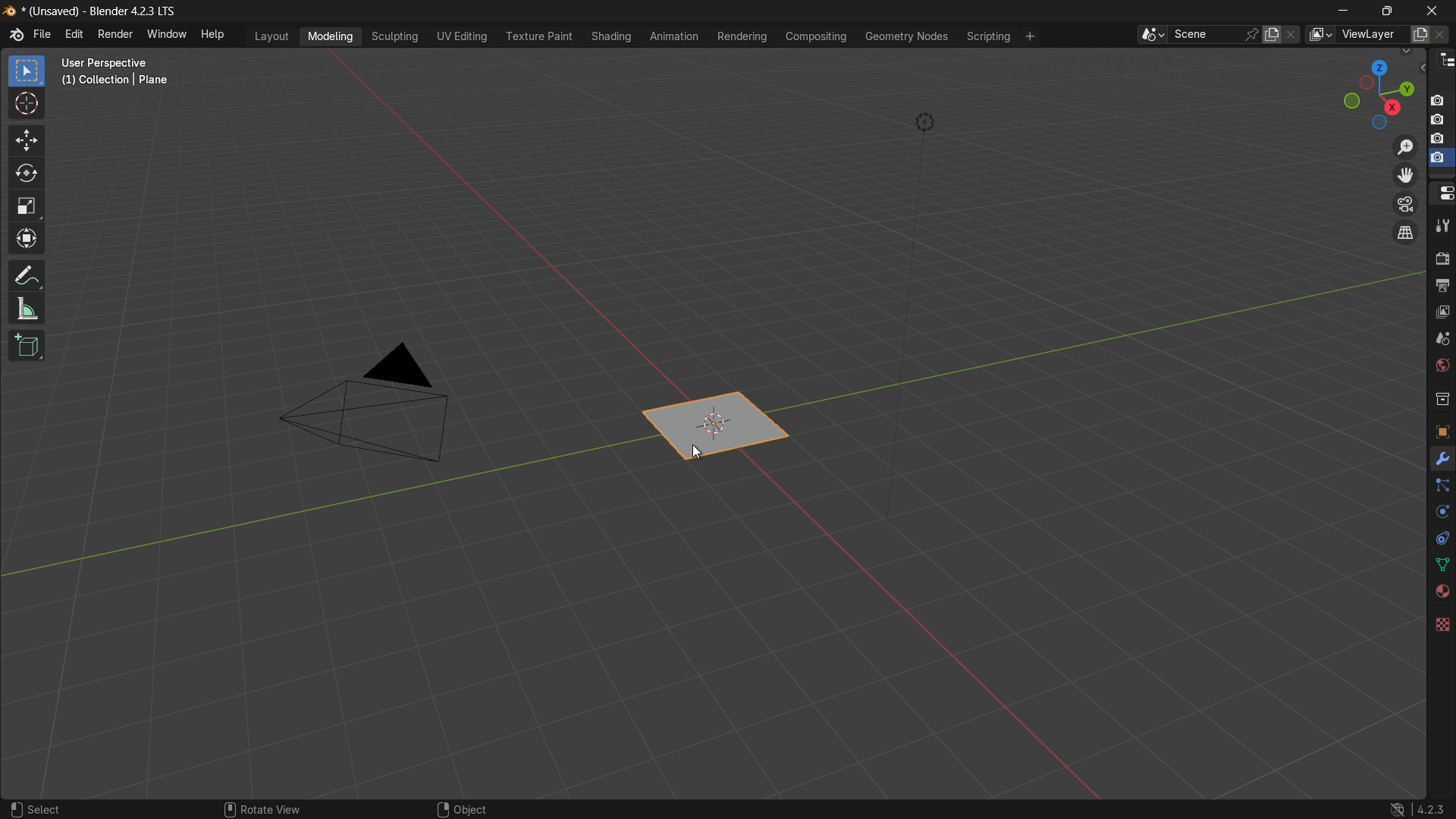 Image resolution: width=1456 pixels, height=819 pixels. What do you see at coordinates (1414, 807) in the screenshot?
I see `4.2.3` at bounding box center [1414, 807].